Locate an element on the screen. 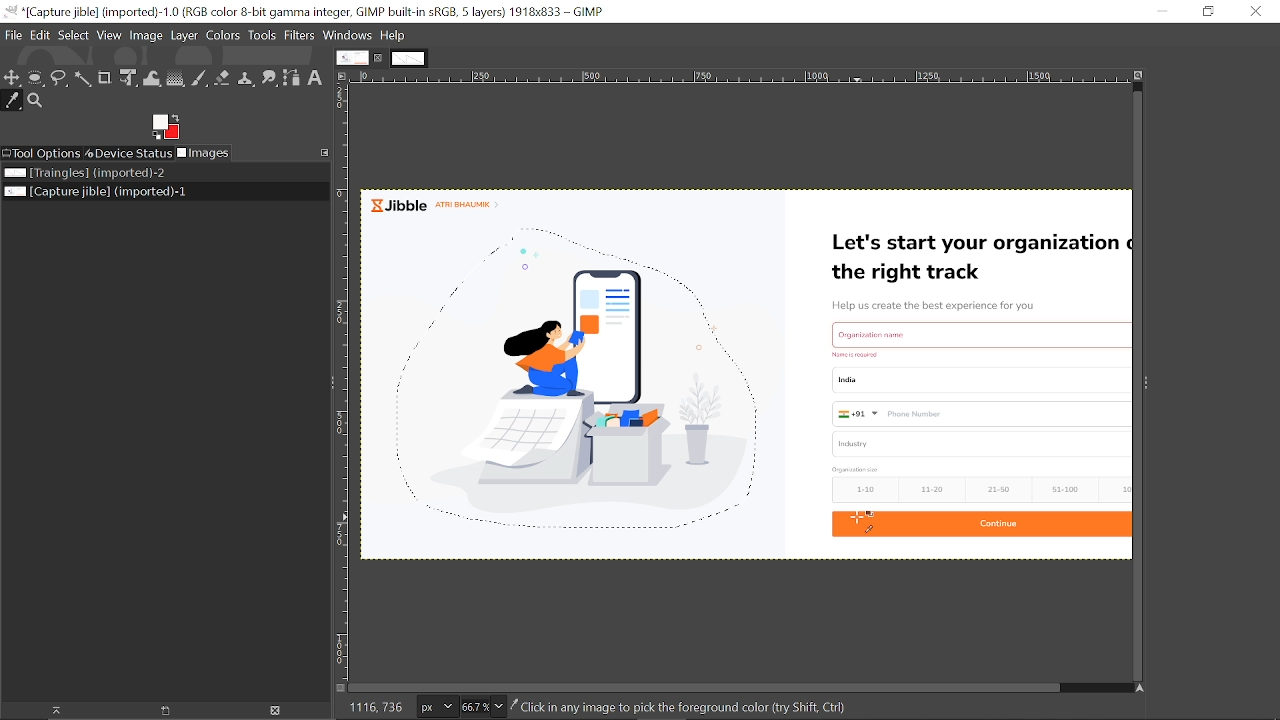 The height and width of the screenshot is (720, 1280). fuzzy select tool is located at coordinates (82, 78).